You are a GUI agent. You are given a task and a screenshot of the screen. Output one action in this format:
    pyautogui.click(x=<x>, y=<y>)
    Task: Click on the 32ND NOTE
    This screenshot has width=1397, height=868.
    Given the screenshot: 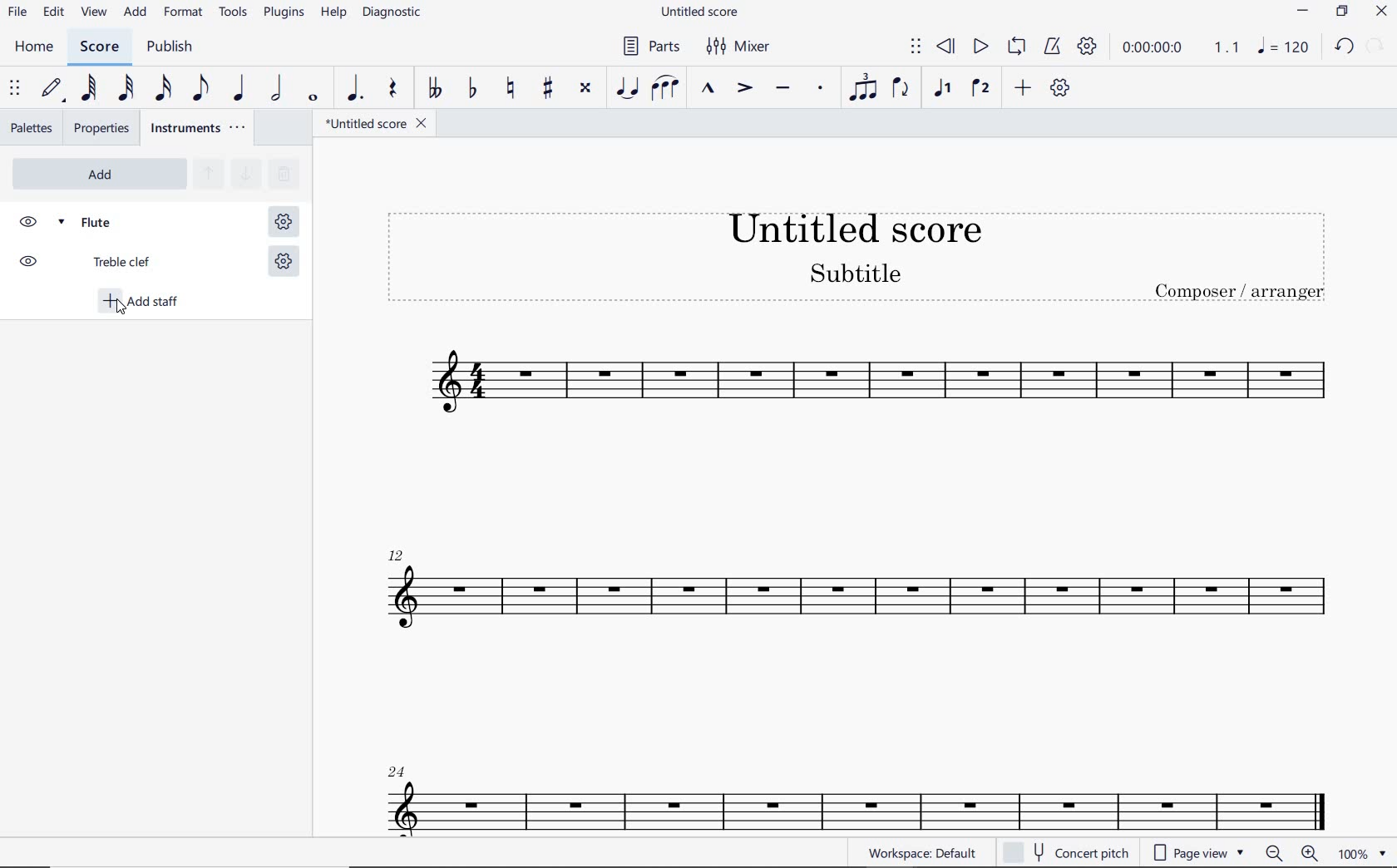 What is the action you would take?
    pyautogui.click(x=126, y=89)
    